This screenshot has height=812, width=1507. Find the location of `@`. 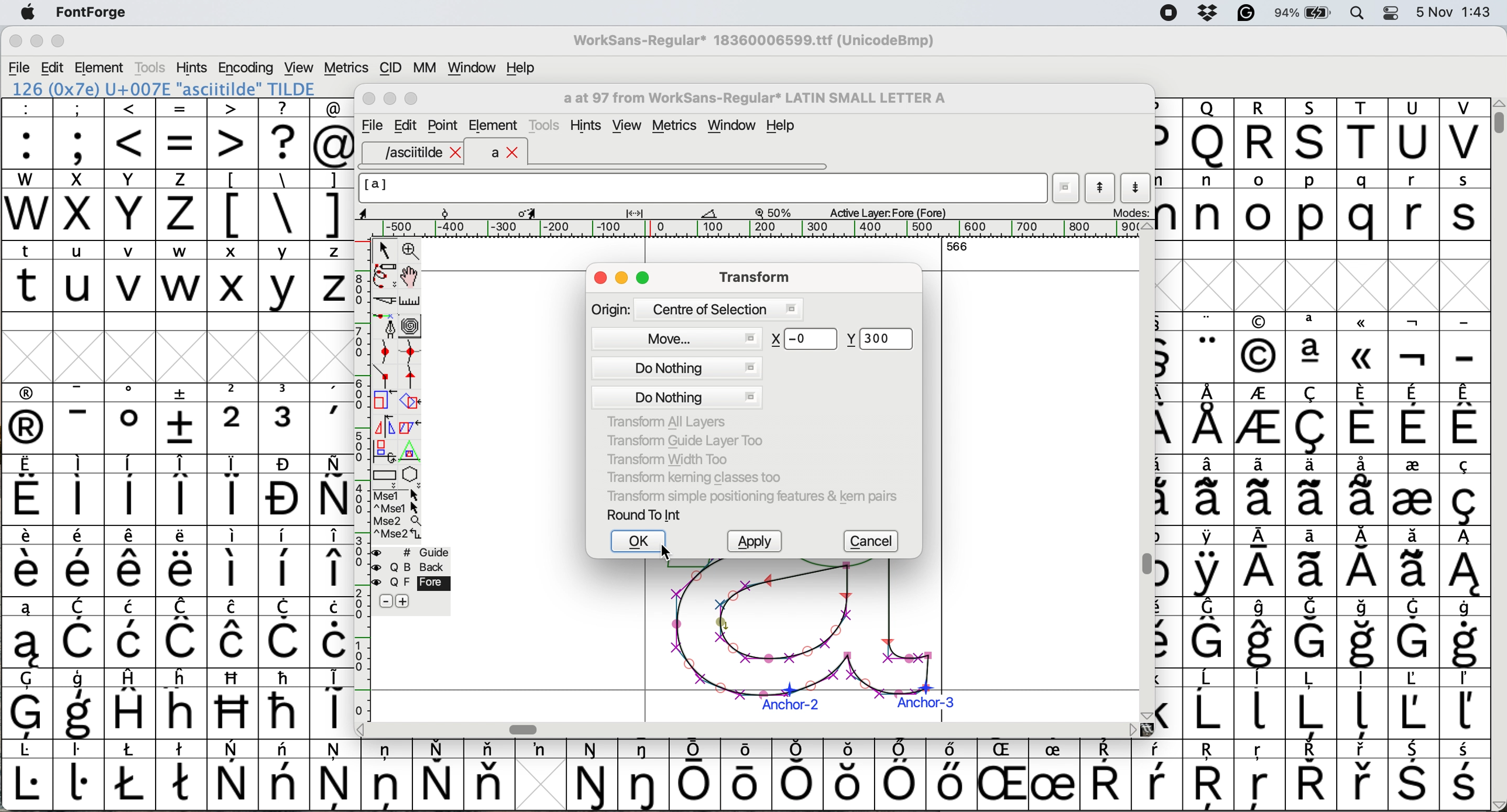

@ is located at coordinates (333, 134).